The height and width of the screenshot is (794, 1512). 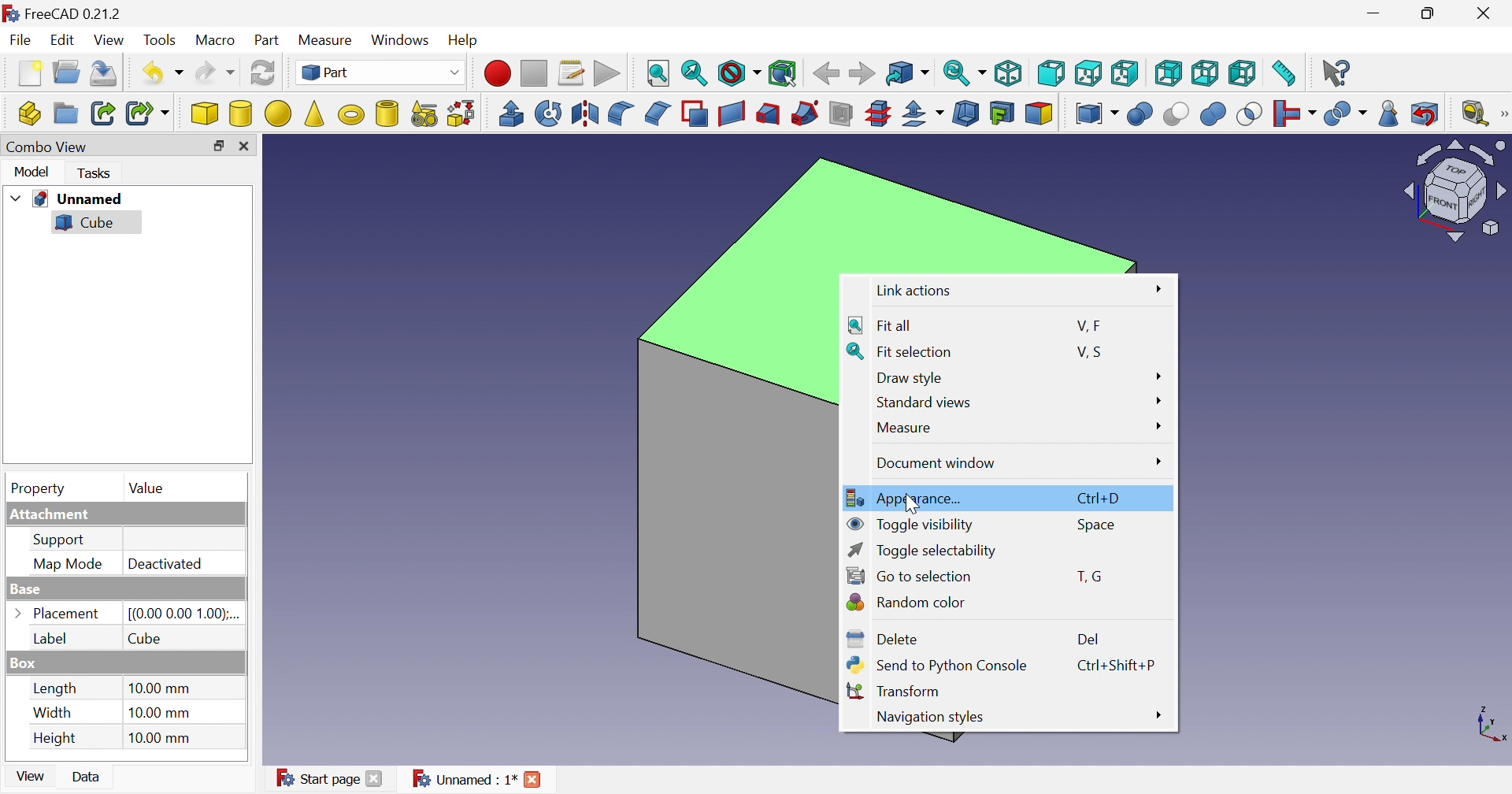 I want to click on Delete, so click(x=883, y=640).